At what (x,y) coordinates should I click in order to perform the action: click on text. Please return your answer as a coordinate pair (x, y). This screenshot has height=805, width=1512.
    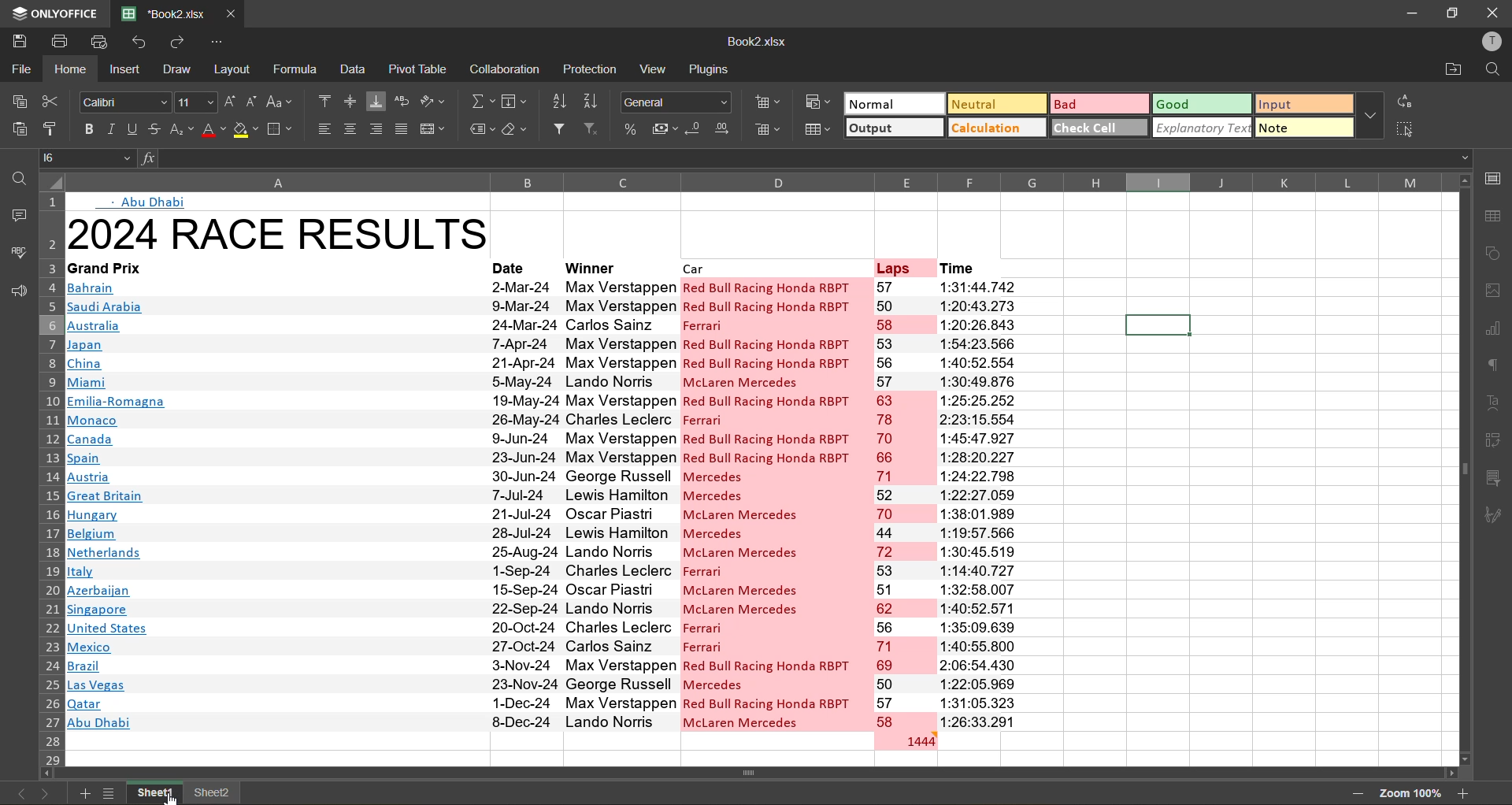
    Looking at the image, I should click on (1496, 406).